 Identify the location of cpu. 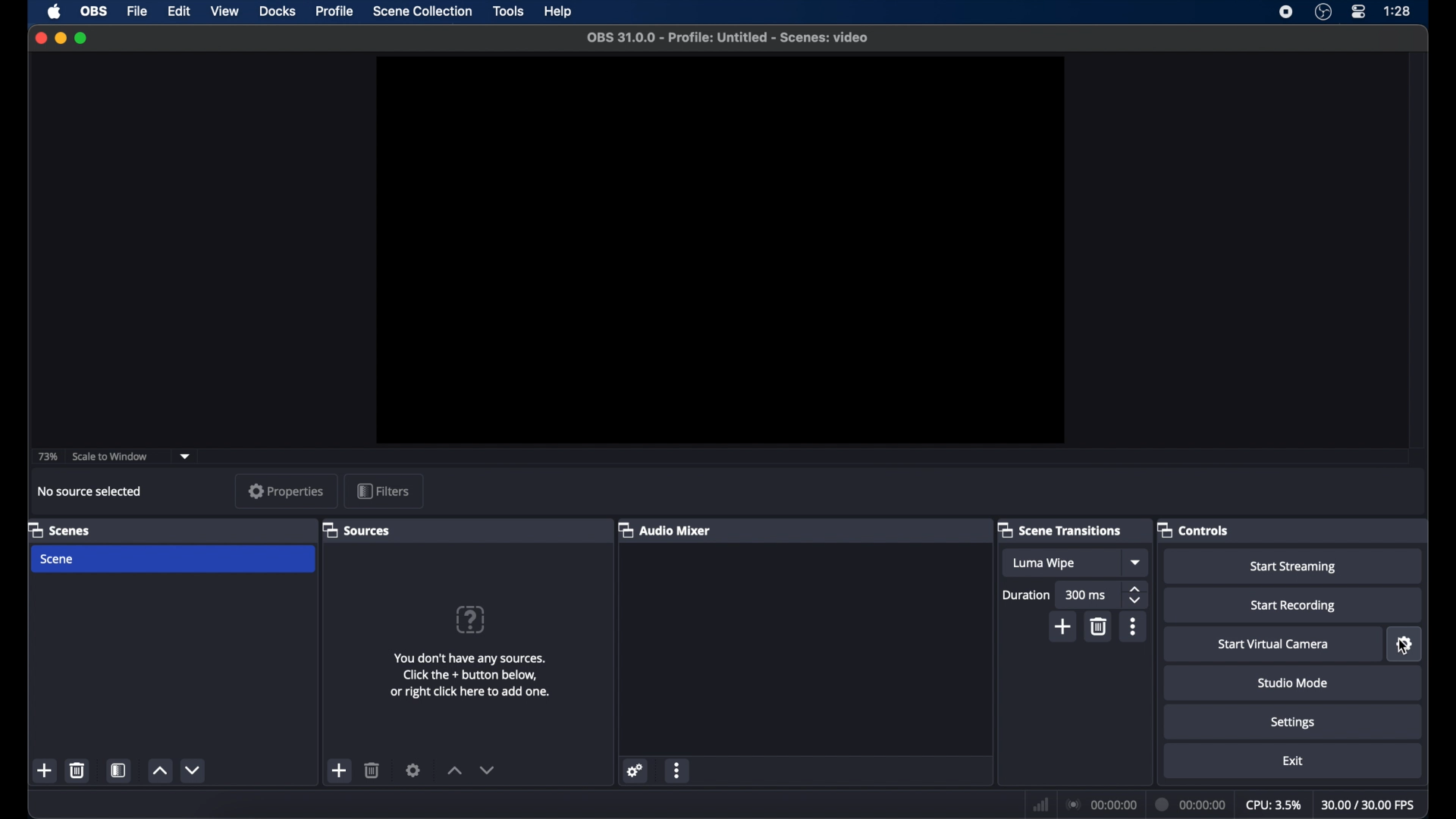
(1272, 805).